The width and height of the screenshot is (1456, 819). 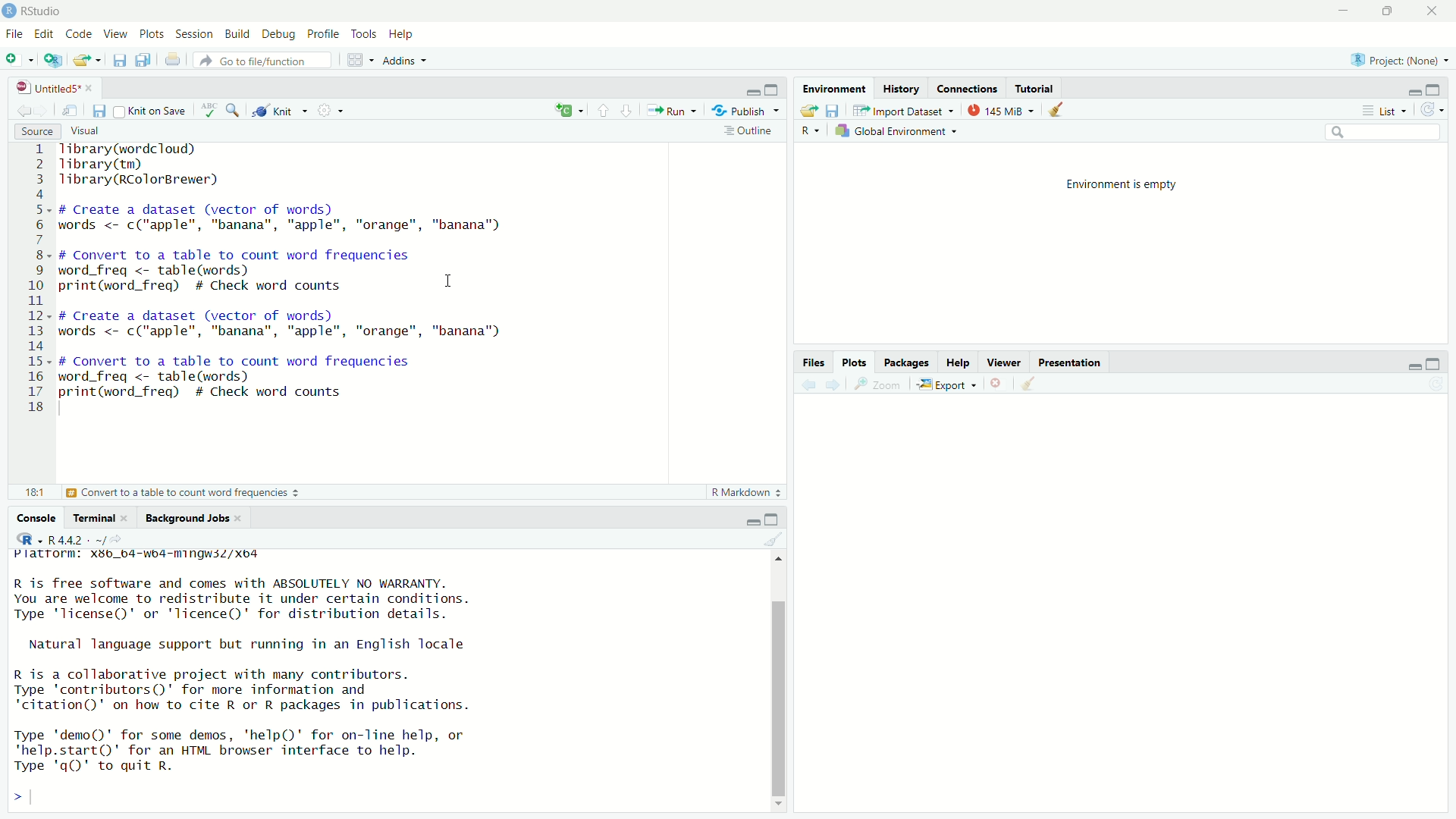 I want to click on create file, so click(x=572, y=111).